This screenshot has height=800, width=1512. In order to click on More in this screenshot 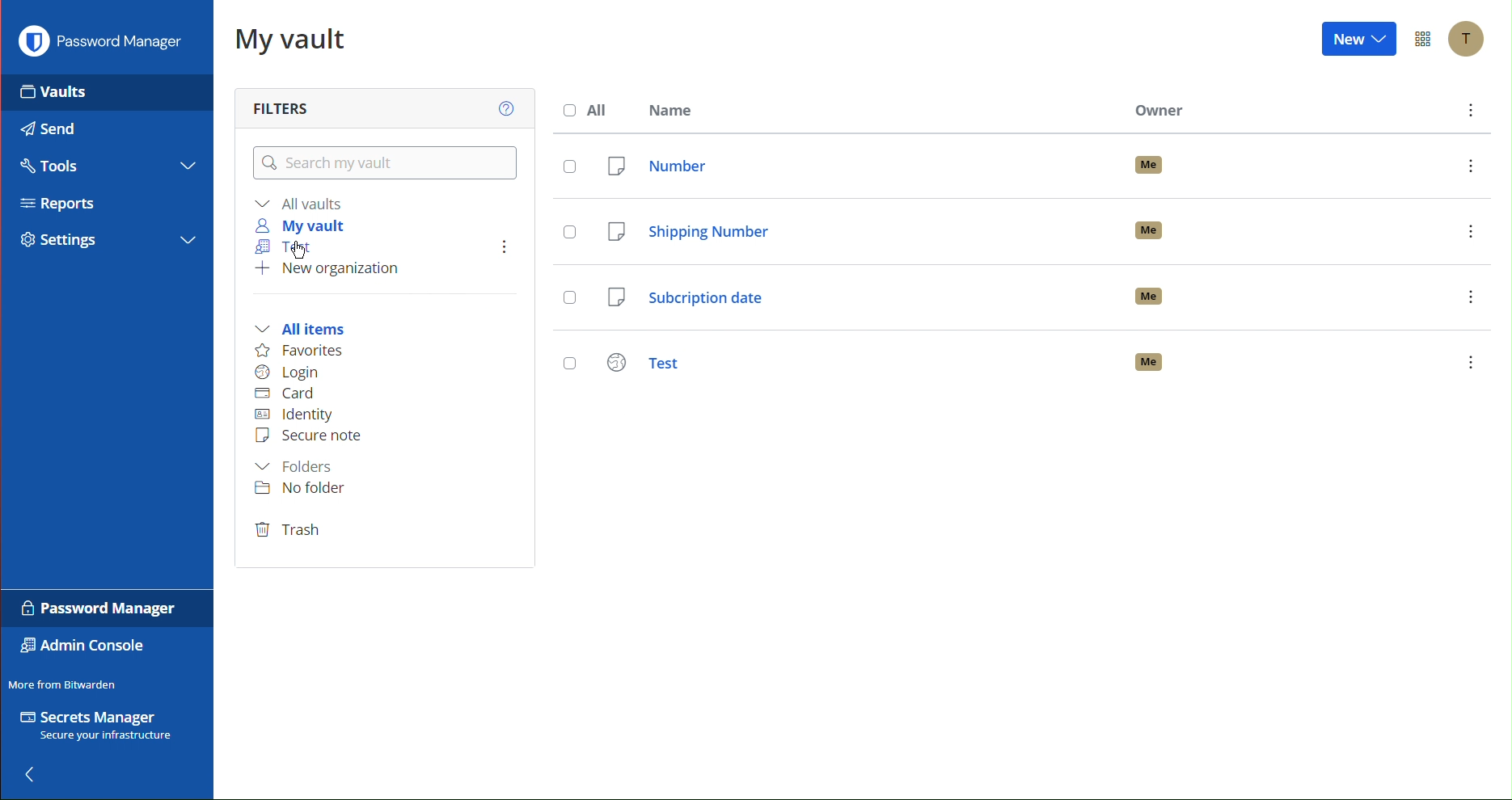, I will do `click(1467, 112)`.